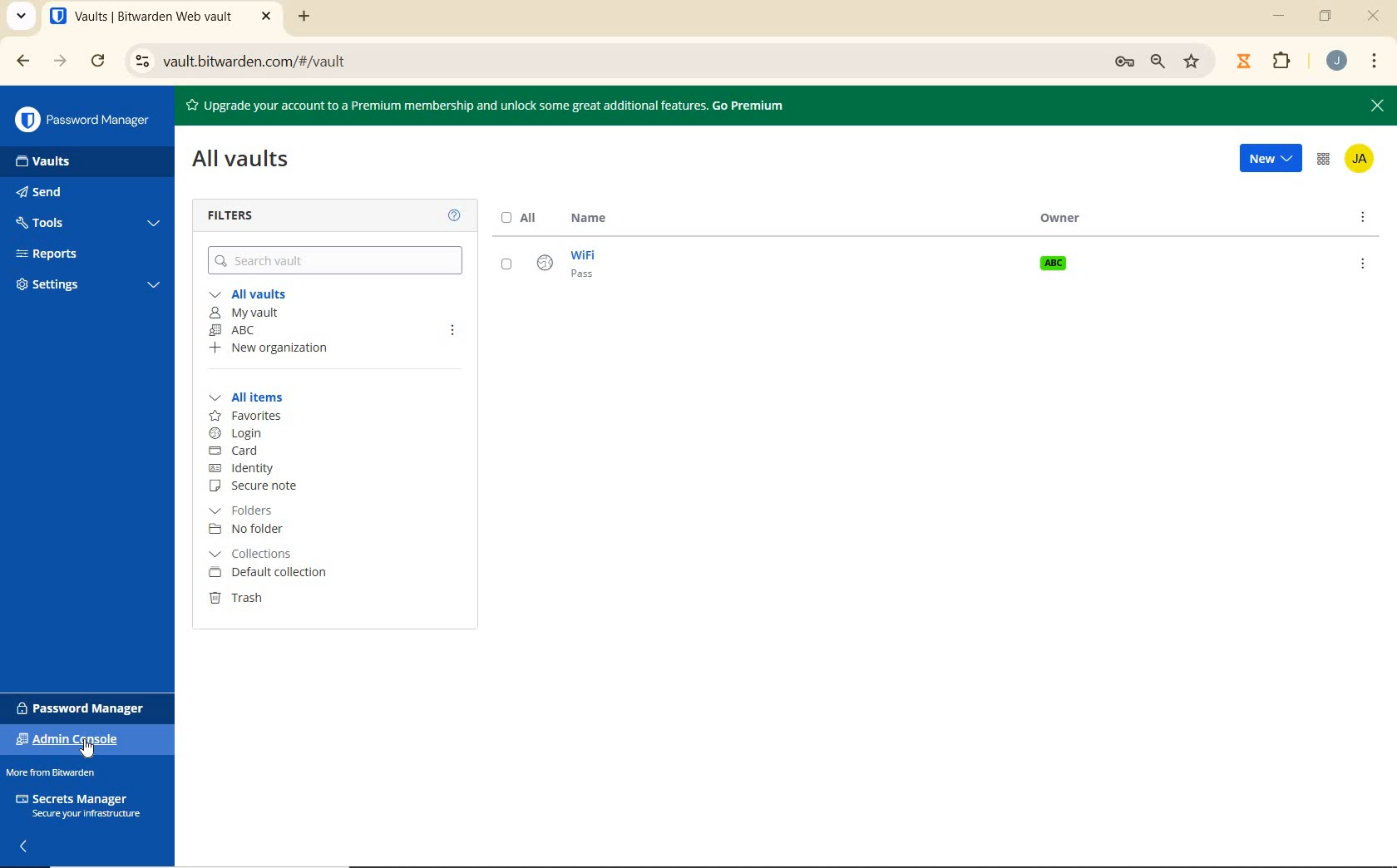 This screenshot has width=1397, height=868. Describe the element at coordinates (259, 467) in the screenshot. I see `IDENTITY` at that location.